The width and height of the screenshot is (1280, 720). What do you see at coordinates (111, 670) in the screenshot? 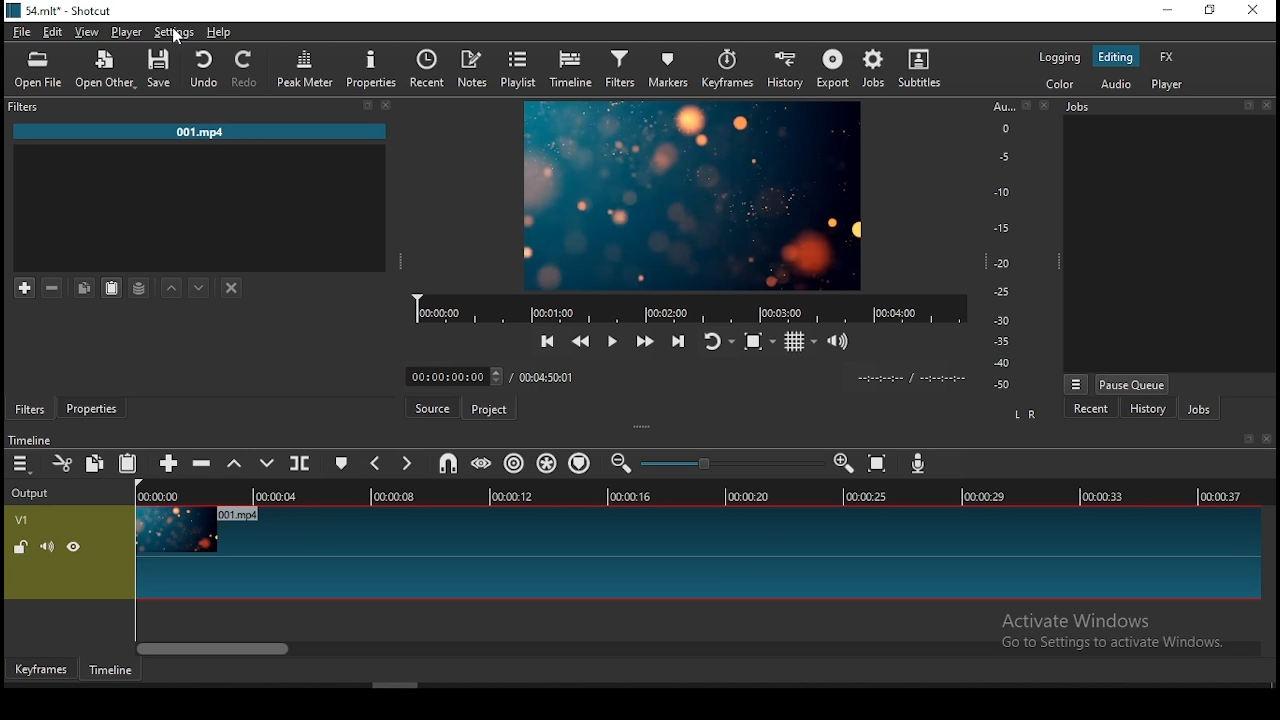
I see `timeline` at bounding box center [111, 670].